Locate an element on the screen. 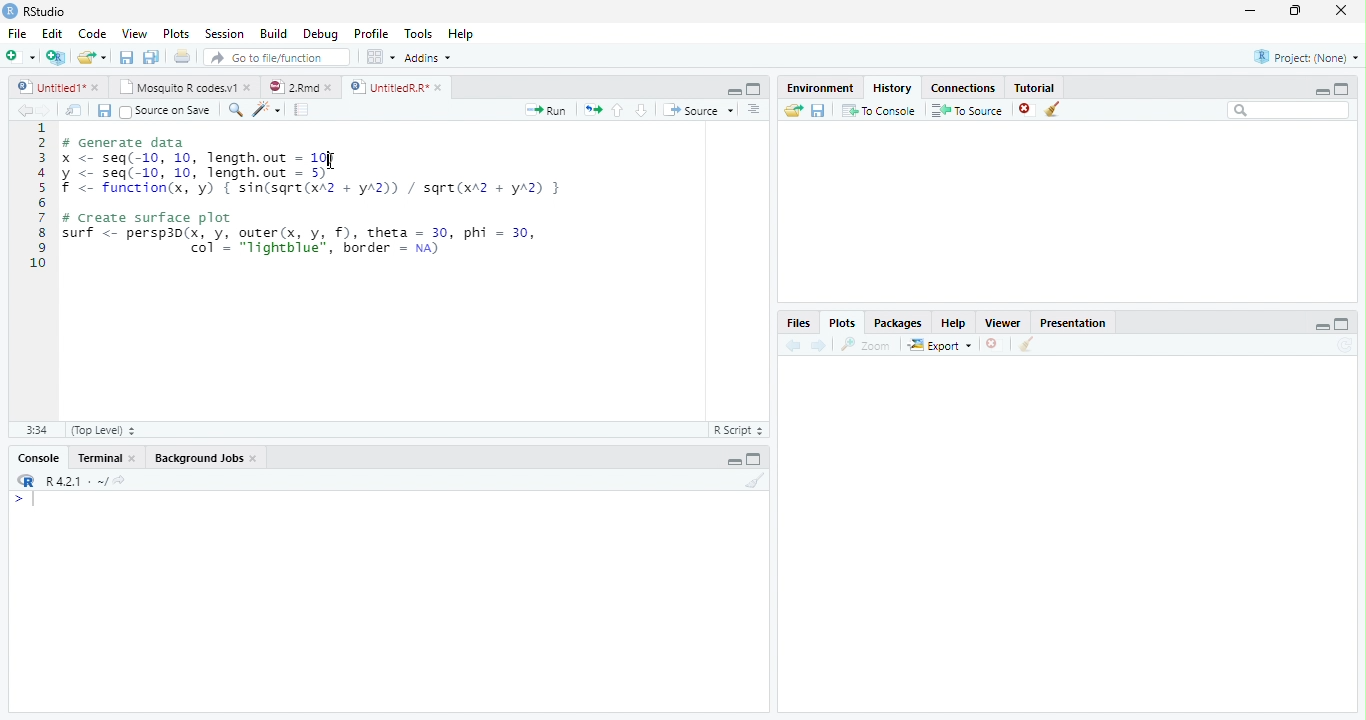 The width and height of the screenshot is (1366, 720). close is located at coordinates (96, 87).